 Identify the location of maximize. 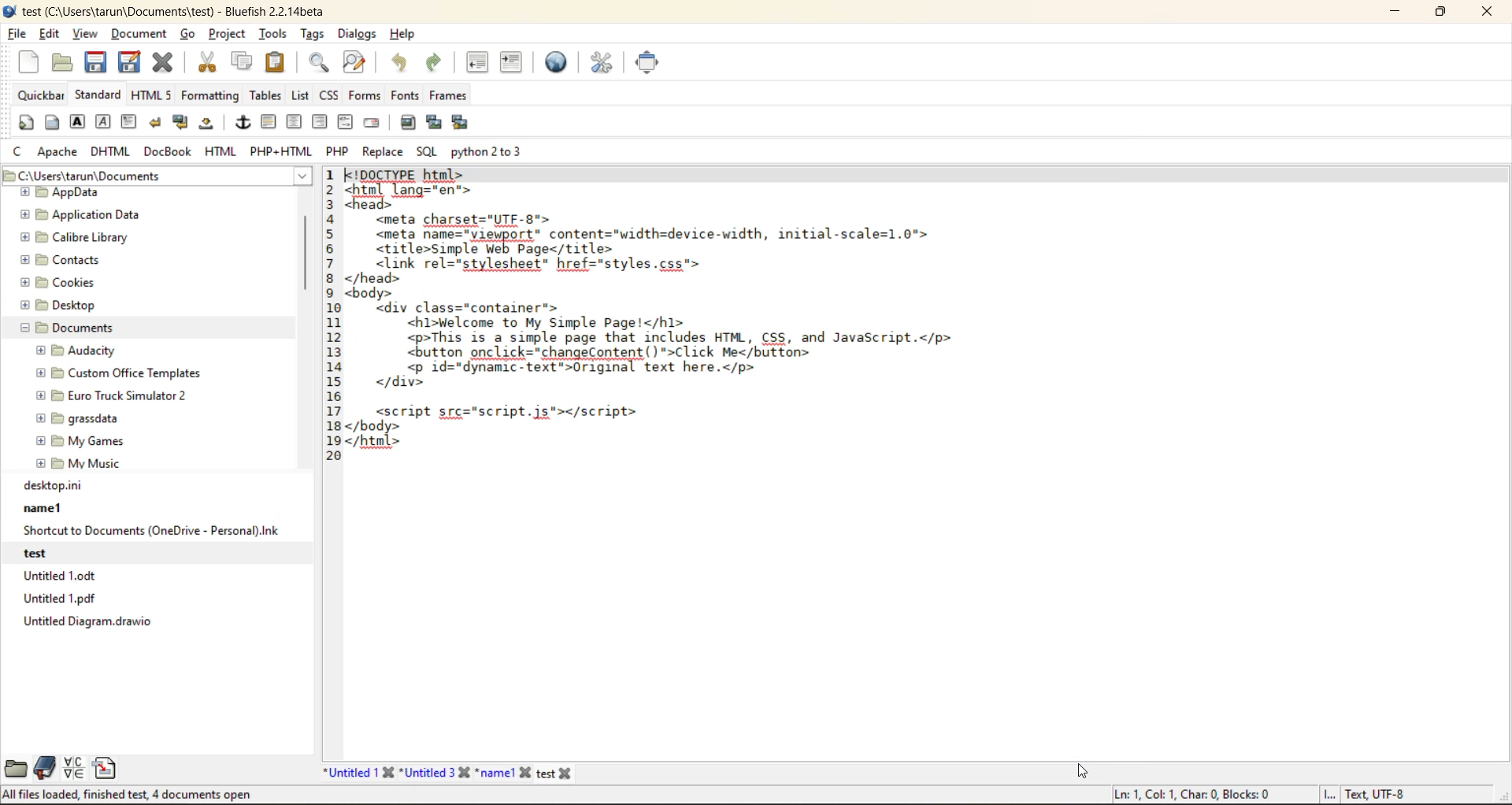
(1442, 14).